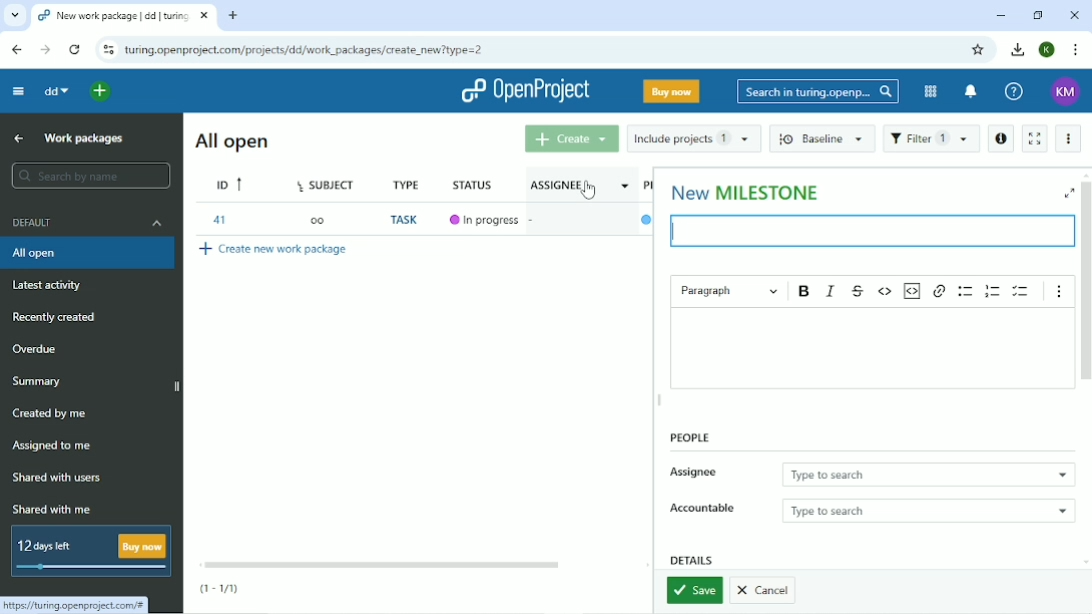 This screenshot has width=1092, height=614. I want to click on Bulleted list, so click(965, 291).